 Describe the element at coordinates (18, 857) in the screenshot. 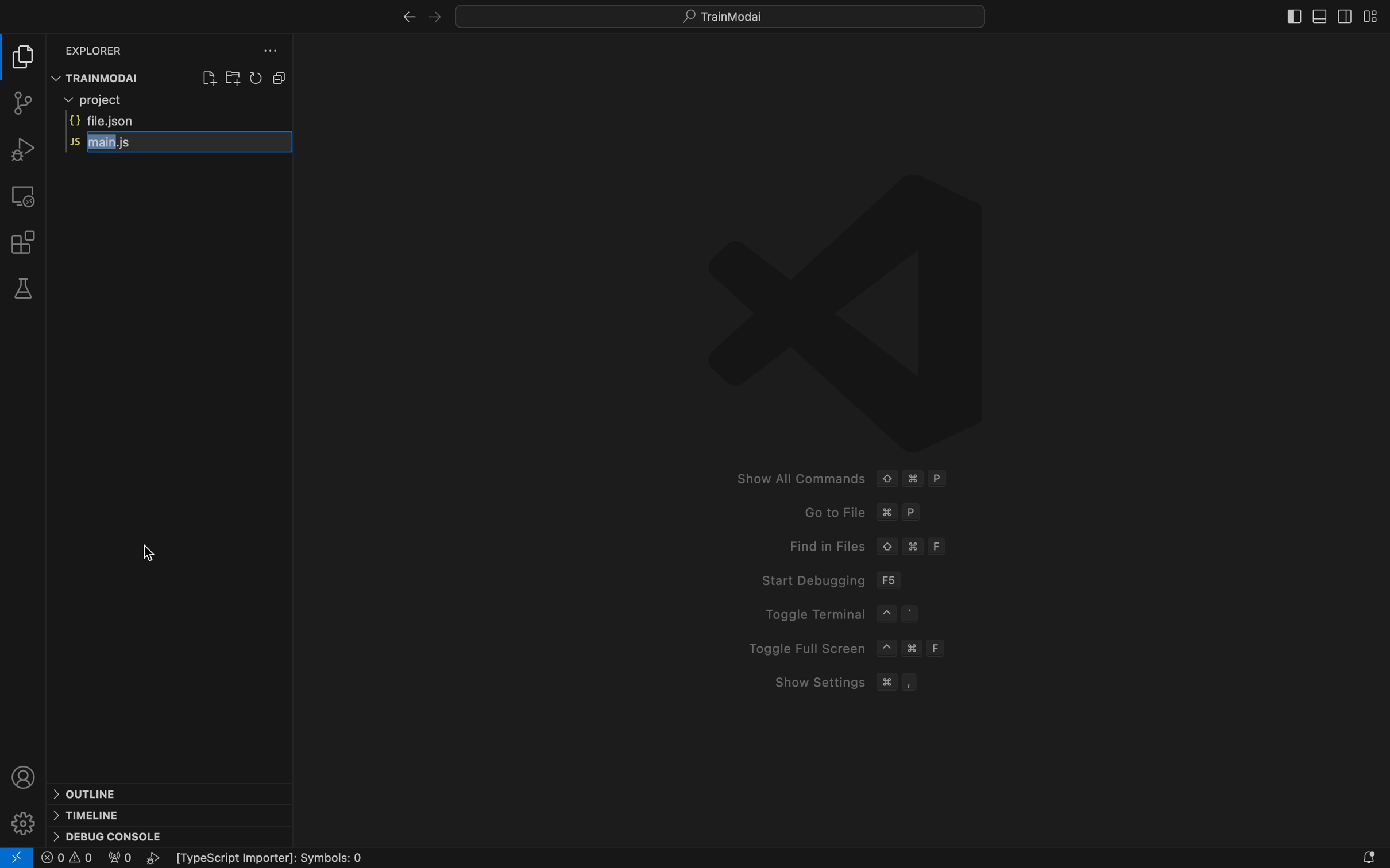

I see `logo` at that location.